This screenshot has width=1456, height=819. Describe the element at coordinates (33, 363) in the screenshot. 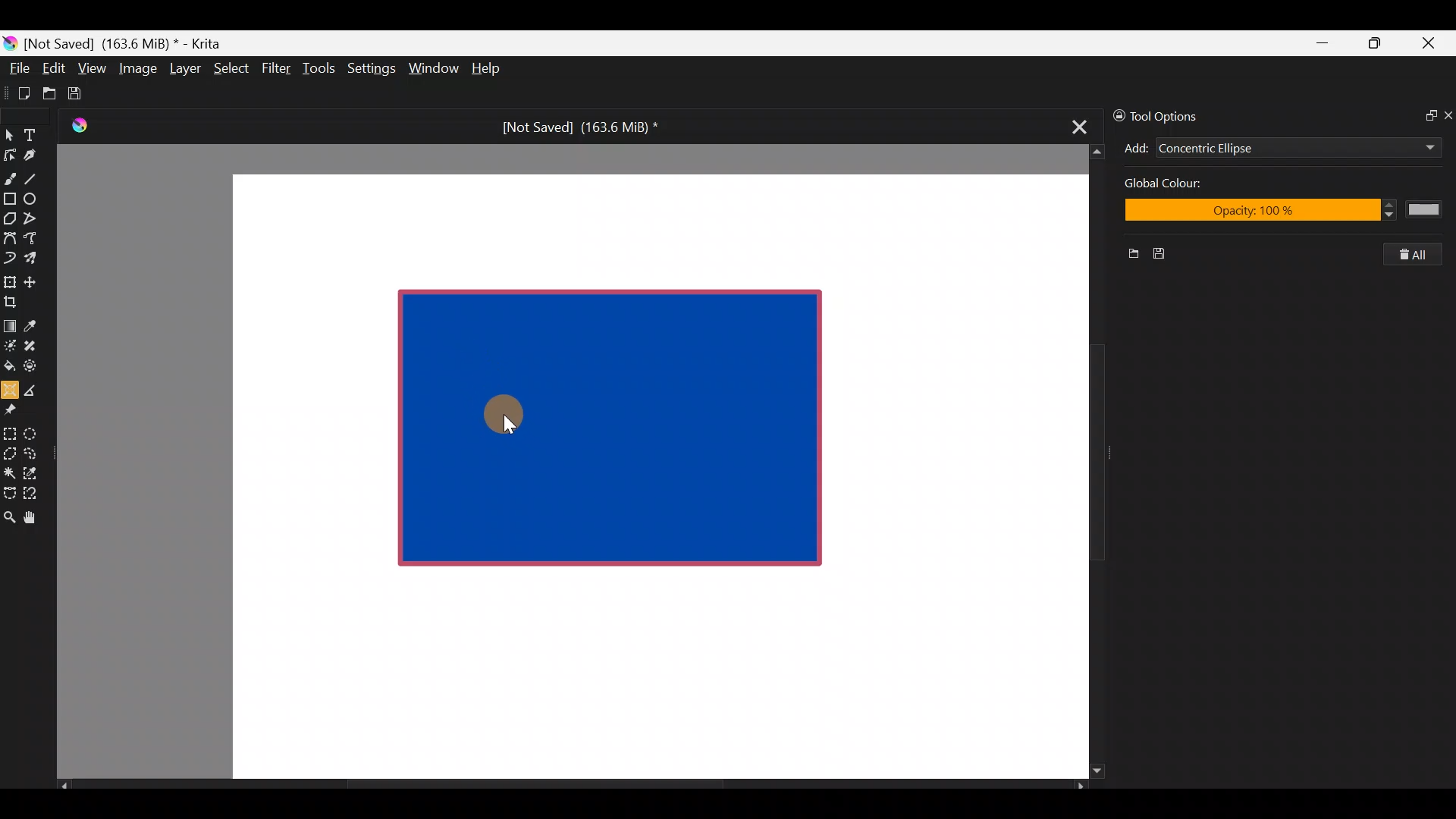

I see `Enclose & fill tool` at that location.